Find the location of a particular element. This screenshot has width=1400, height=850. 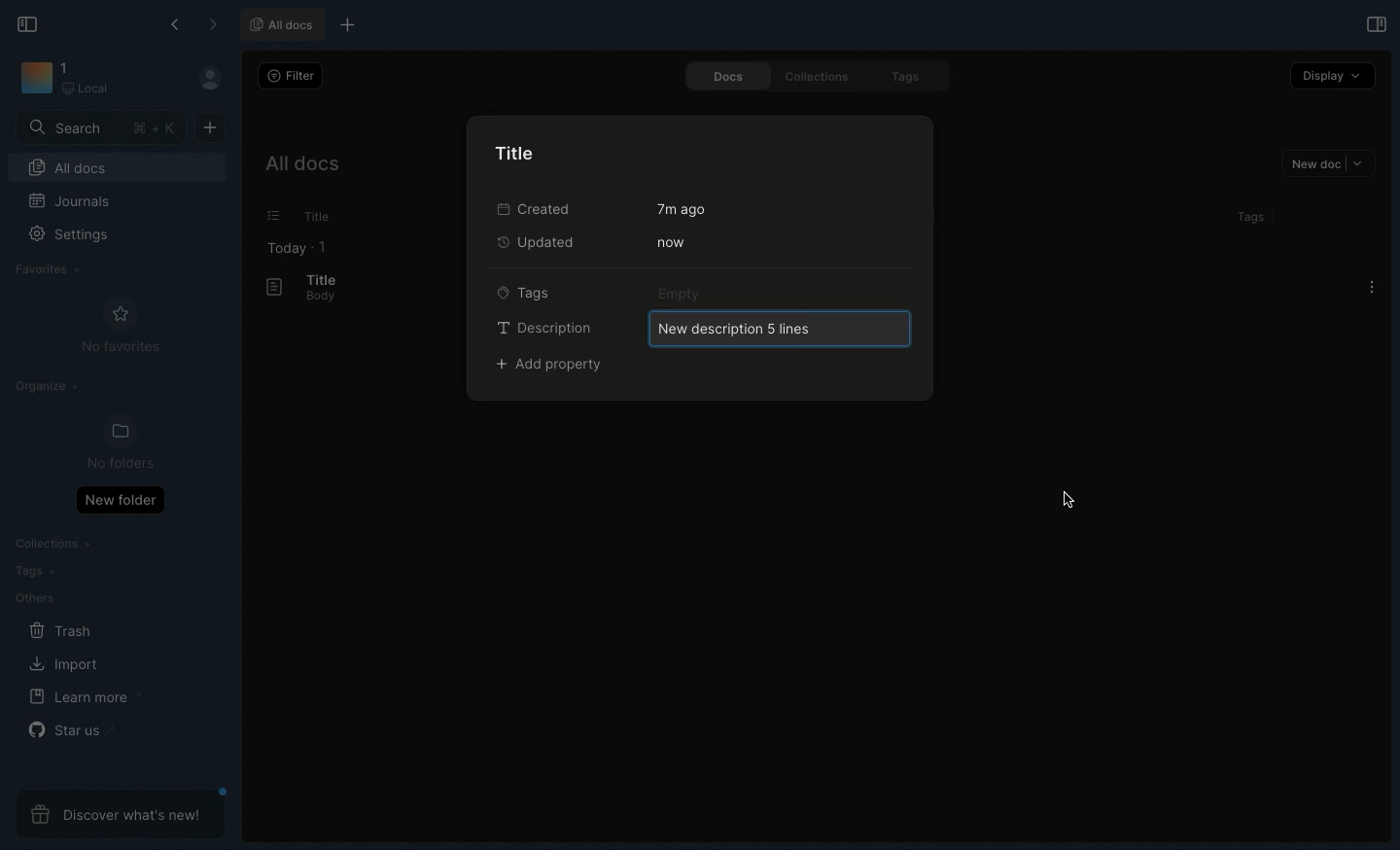

Discover what's new is located at coordinates (121, 814).